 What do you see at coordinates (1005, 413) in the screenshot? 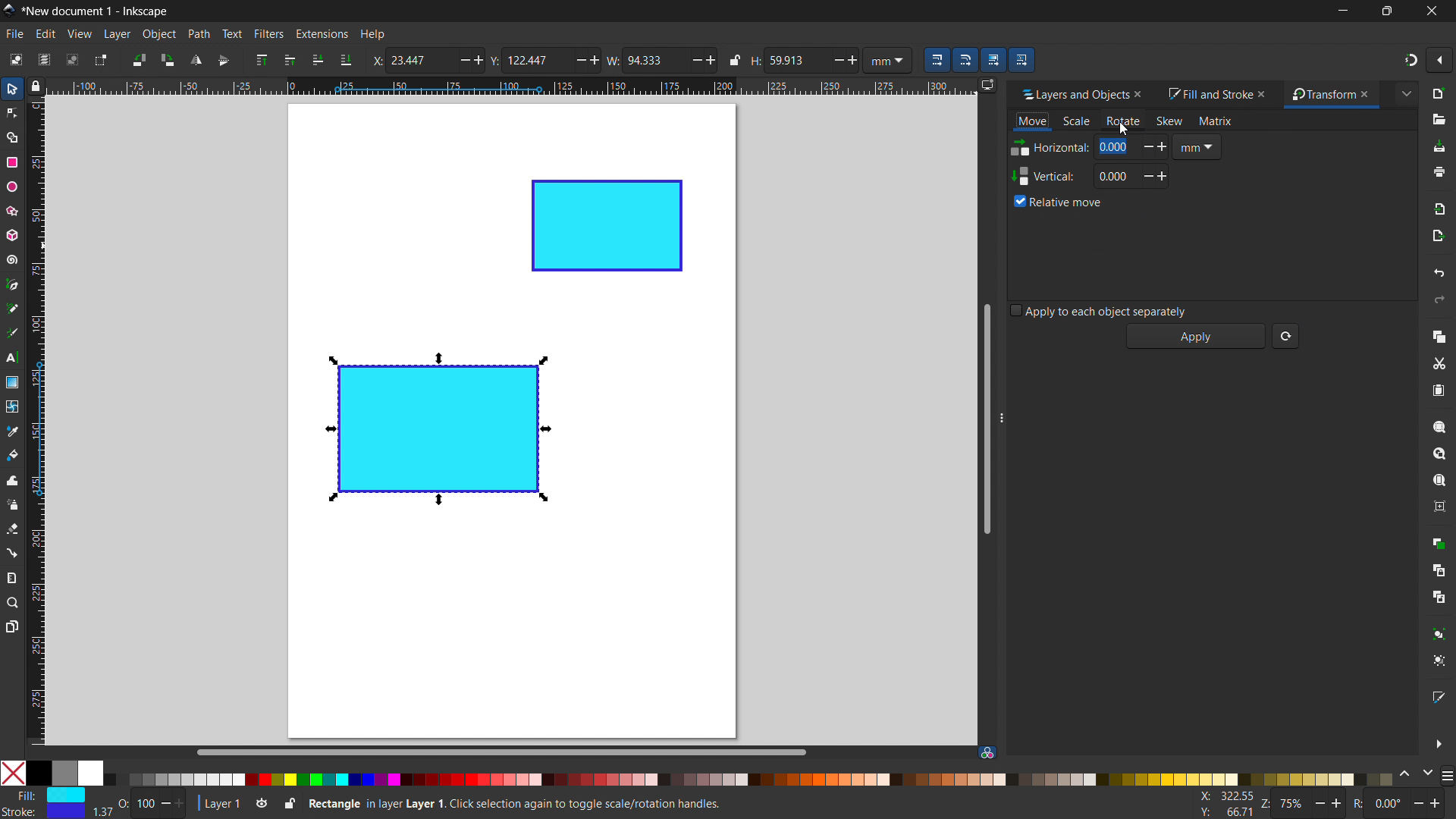
I see `resize` at bounding box center [1005, 413].